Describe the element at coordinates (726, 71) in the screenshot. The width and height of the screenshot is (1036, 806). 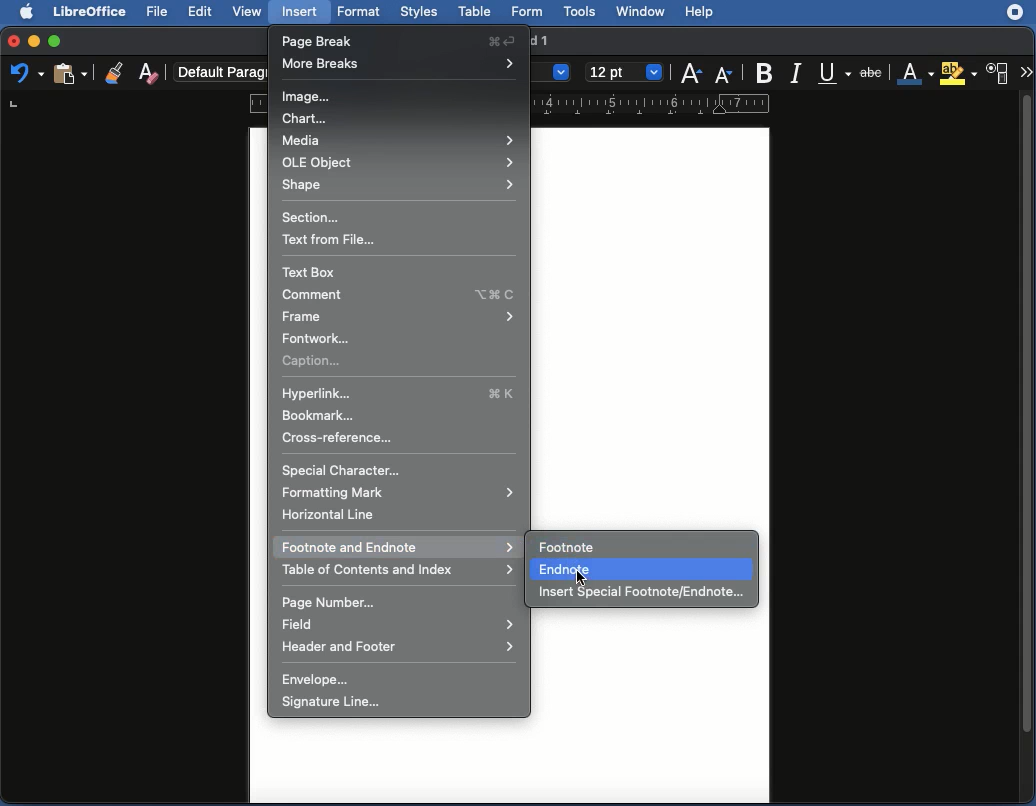
I see `Decrease size` at that location.